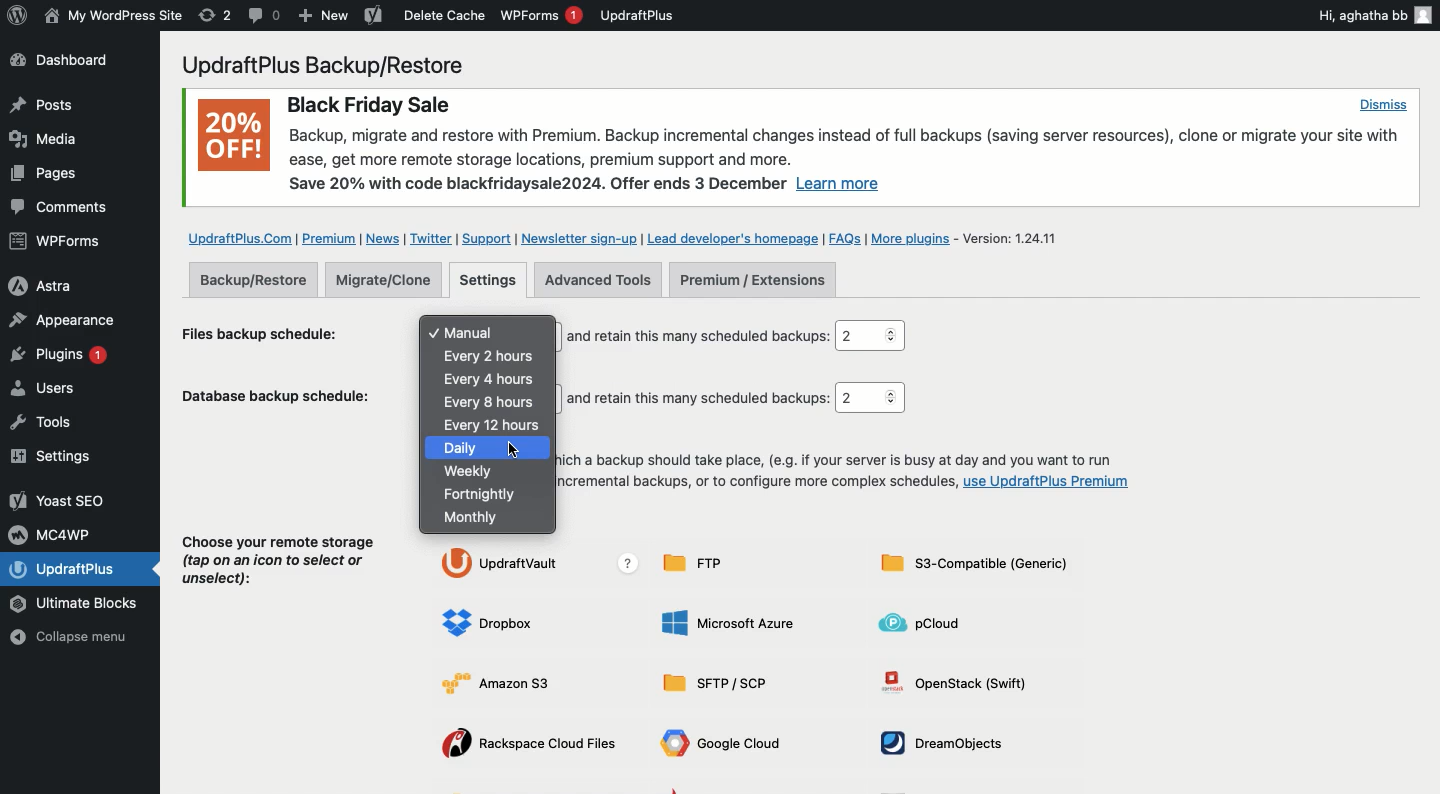 The height and width of the screenshot is (794, 1440). What do you see at coordinates (493, 403) in the screenshot?
I see `Every 8 hours` at bounding box center [493, 403].